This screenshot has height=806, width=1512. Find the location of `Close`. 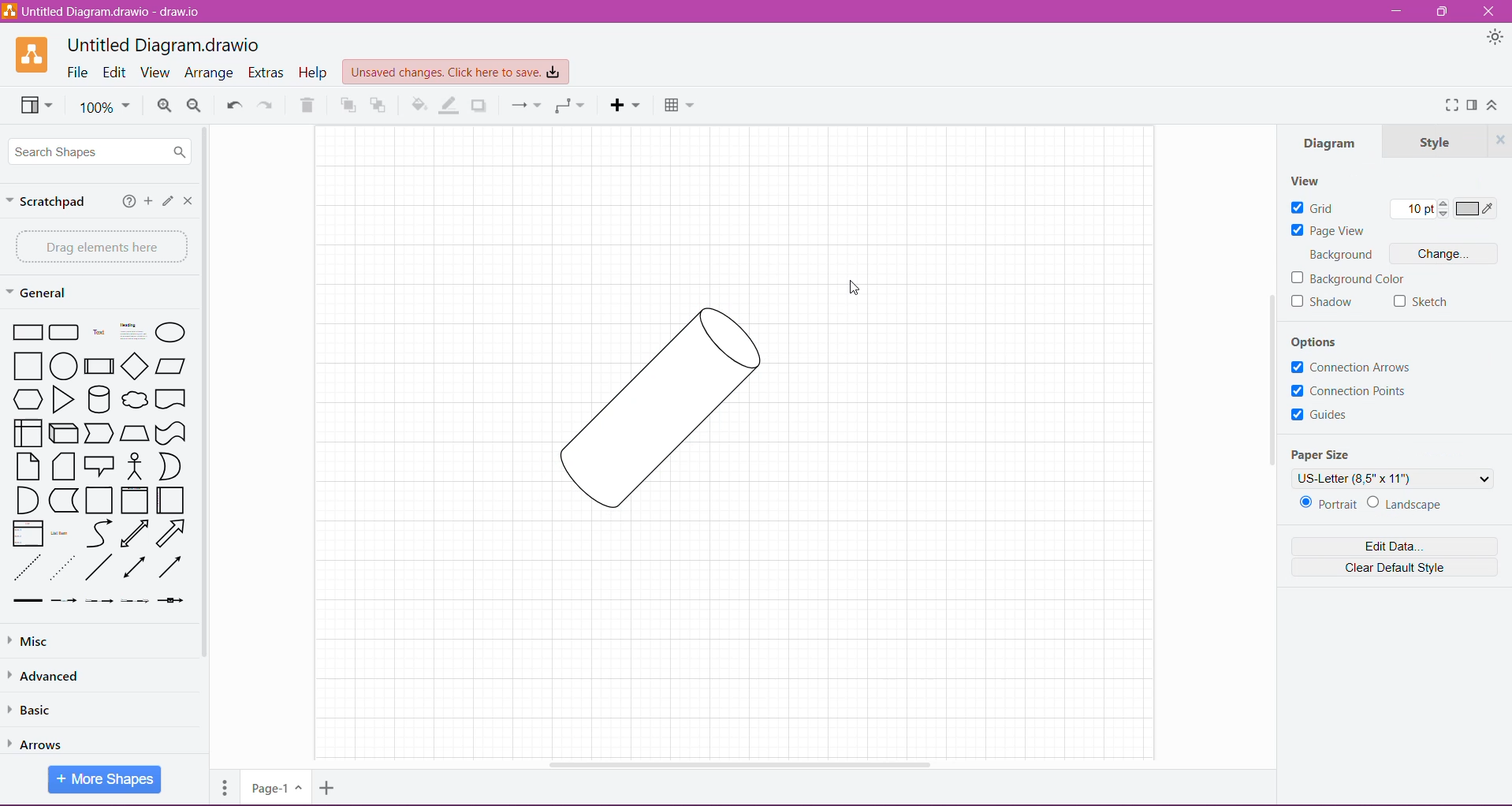

Close is located at coordinates (188, 200).